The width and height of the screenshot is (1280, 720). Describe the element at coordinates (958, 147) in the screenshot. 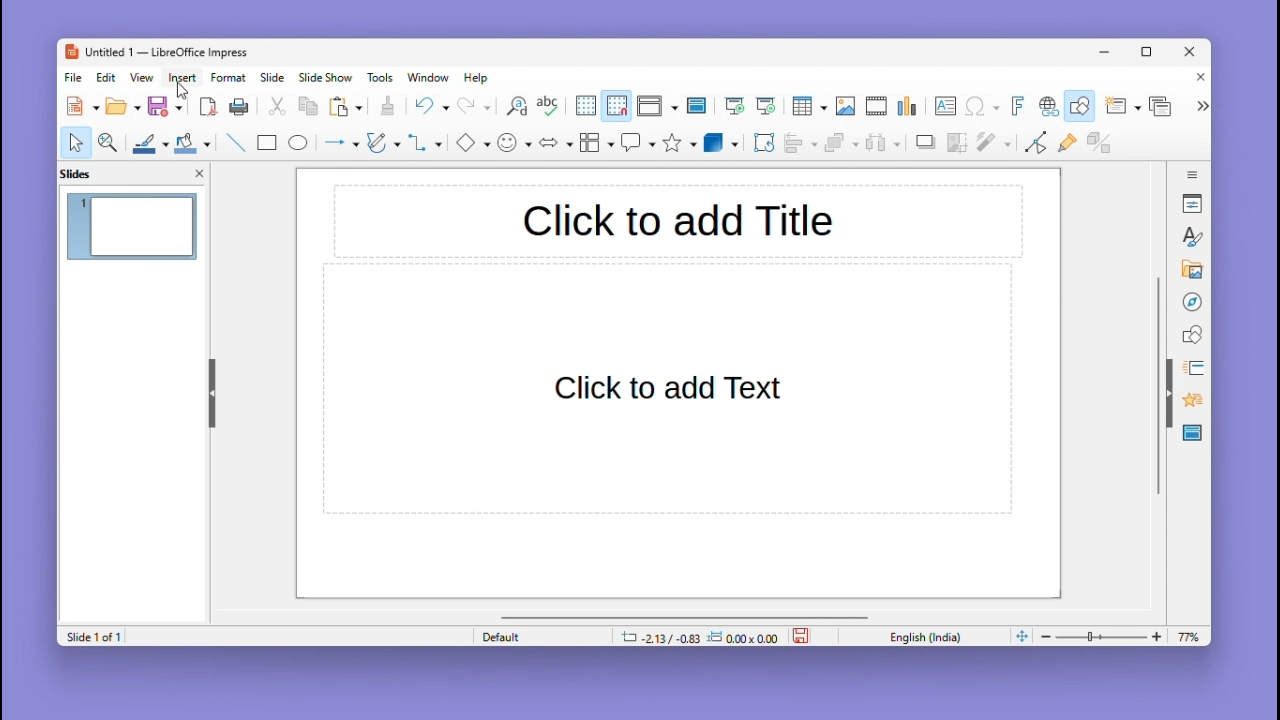

I see `Crop image` at that location.